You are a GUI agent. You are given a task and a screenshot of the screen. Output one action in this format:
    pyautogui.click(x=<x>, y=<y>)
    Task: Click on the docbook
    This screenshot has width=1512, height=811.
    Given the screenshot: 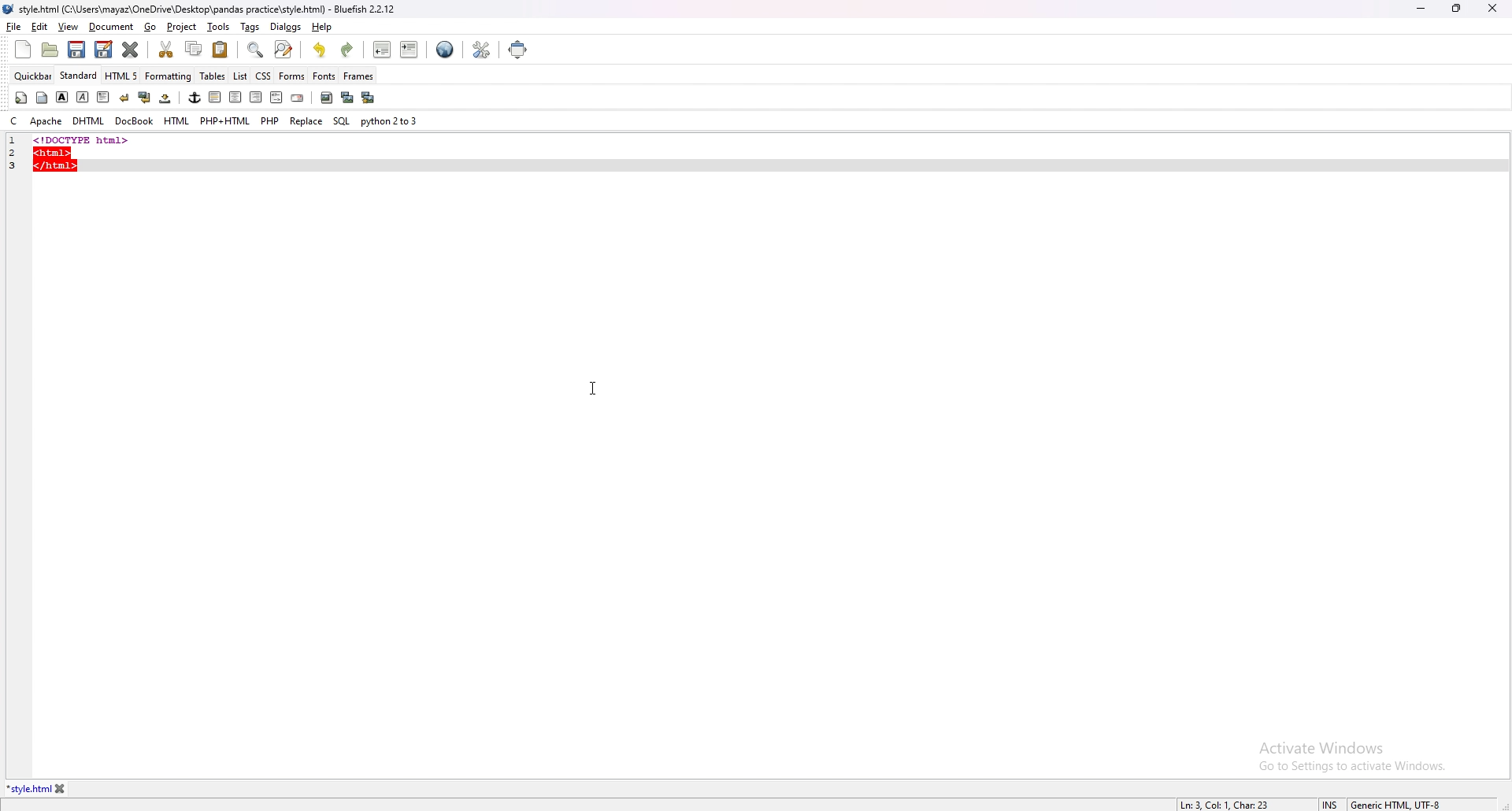 What is the action you would take?
    pyautogui.click(x=134, y=121)
    